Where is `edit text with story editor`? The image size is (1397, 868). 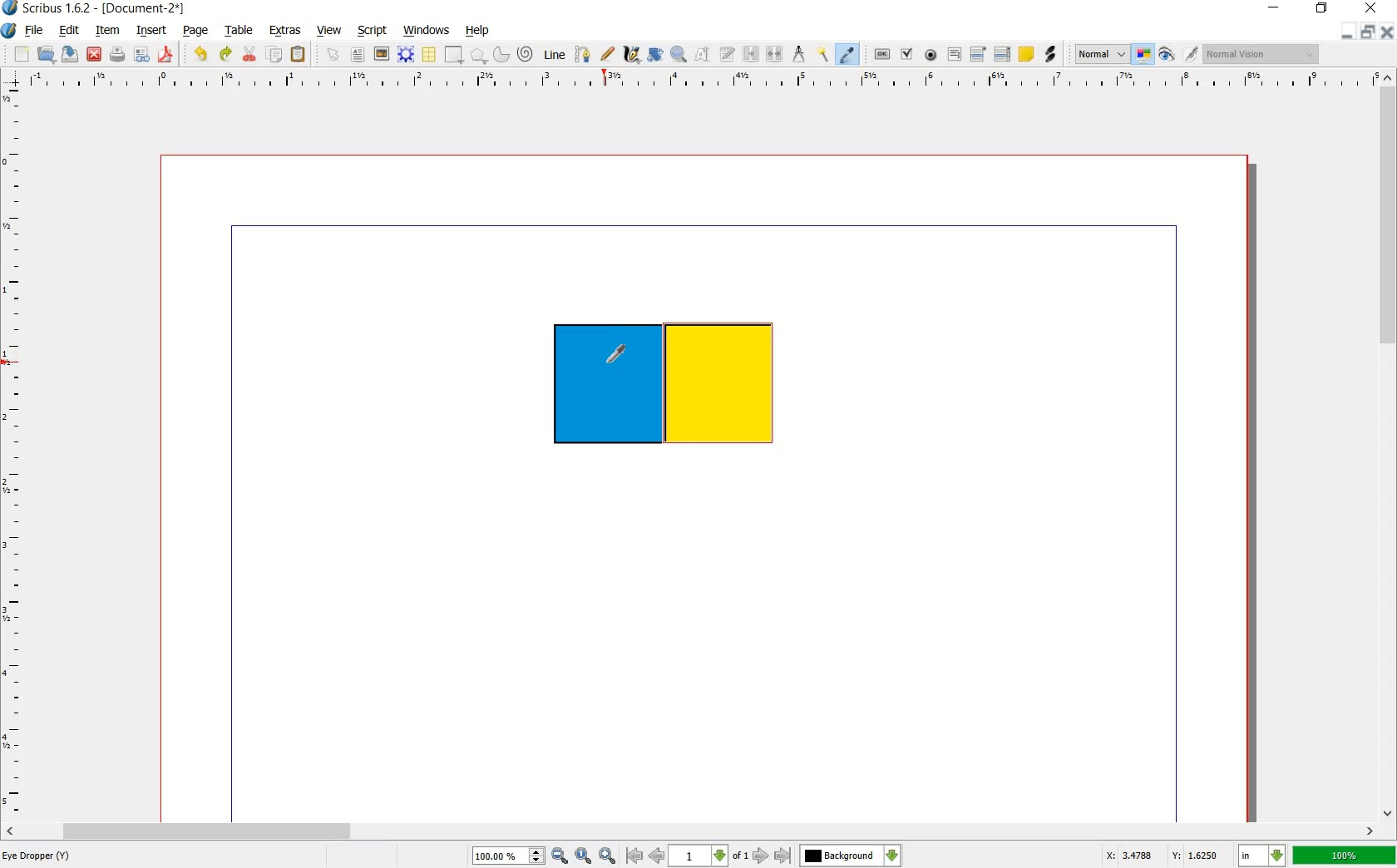 edit text with story editor is located at coordinates (728, 55).